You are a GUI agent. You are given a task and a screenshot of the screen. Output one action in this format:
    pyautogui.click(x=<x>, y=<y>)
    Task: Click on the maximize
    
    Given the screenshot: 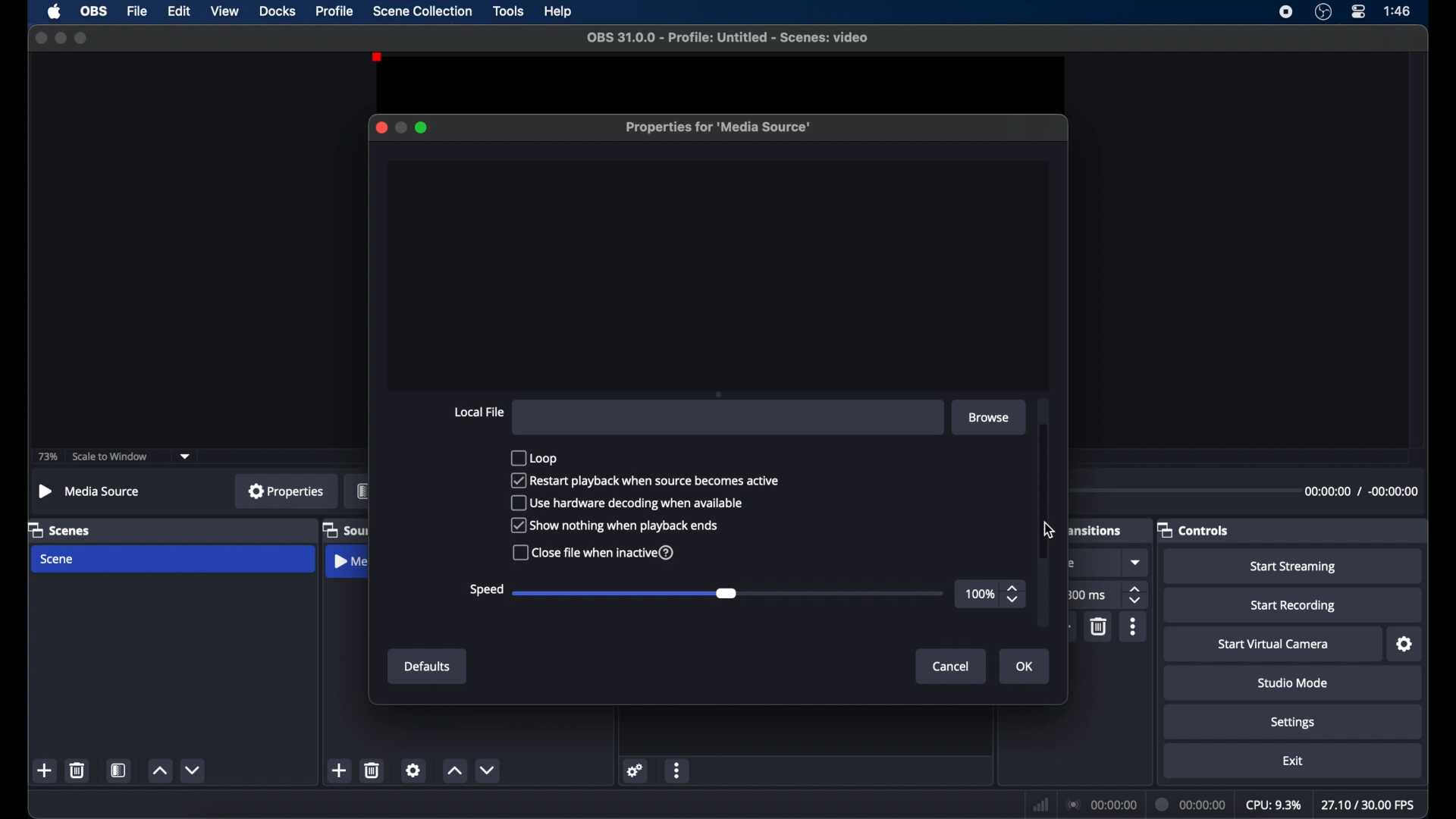 What is the action you would take?
    pyautogui.click(x=422, y=127)
    